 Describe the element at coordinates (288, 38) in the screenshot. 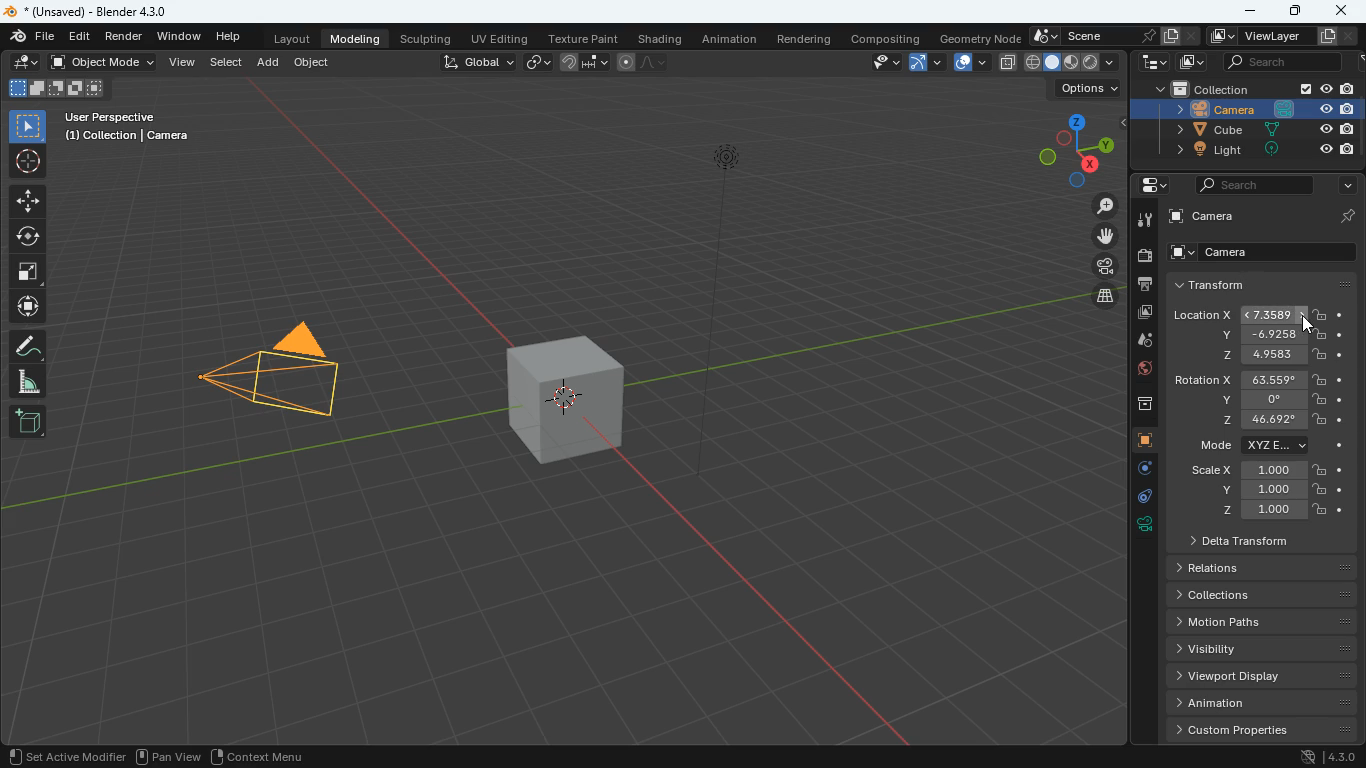

I see `layout` at that location.